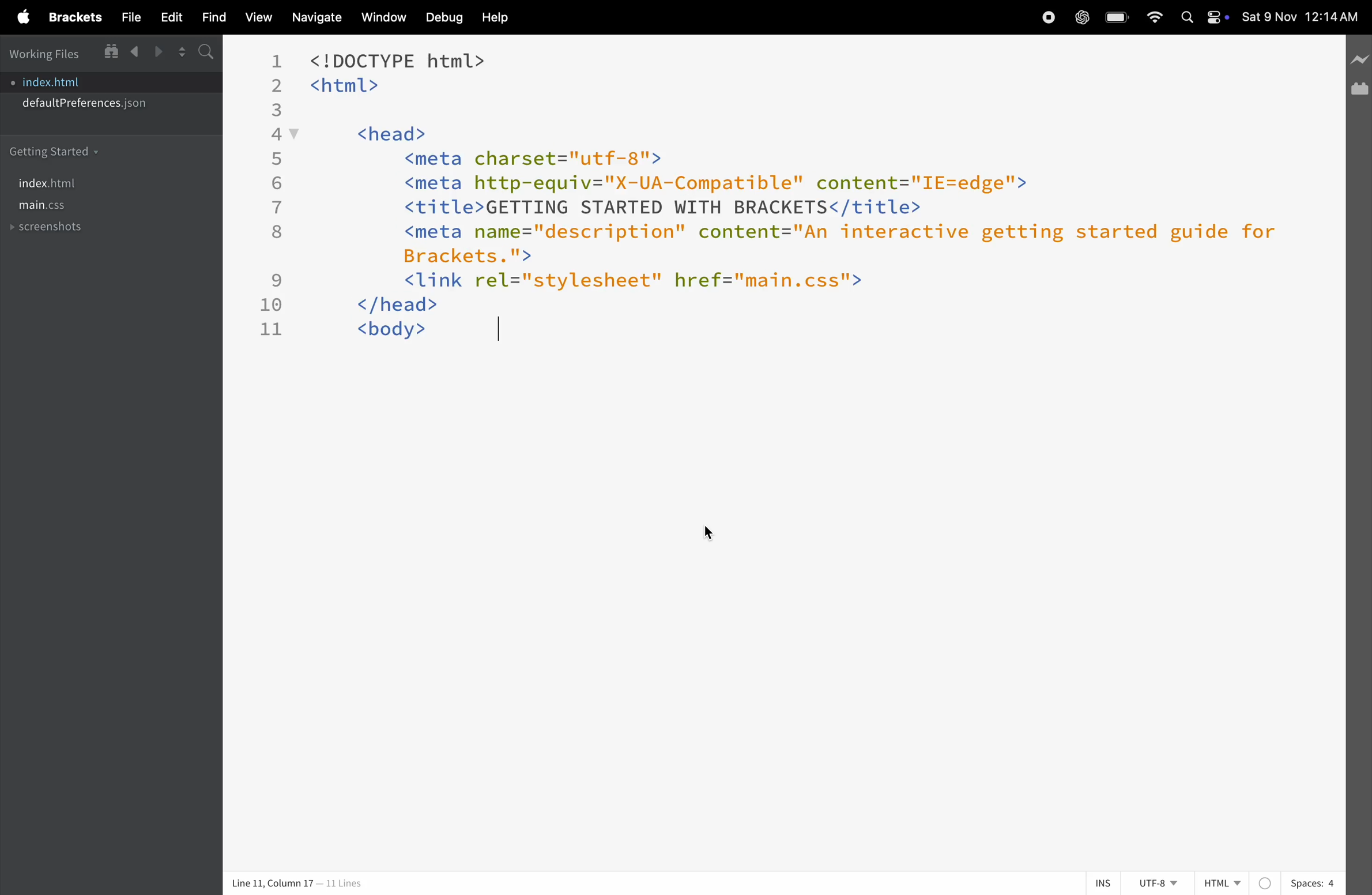 The width and height of the screenshot is (1372, 895). I want to click on find, so click(207, 18).